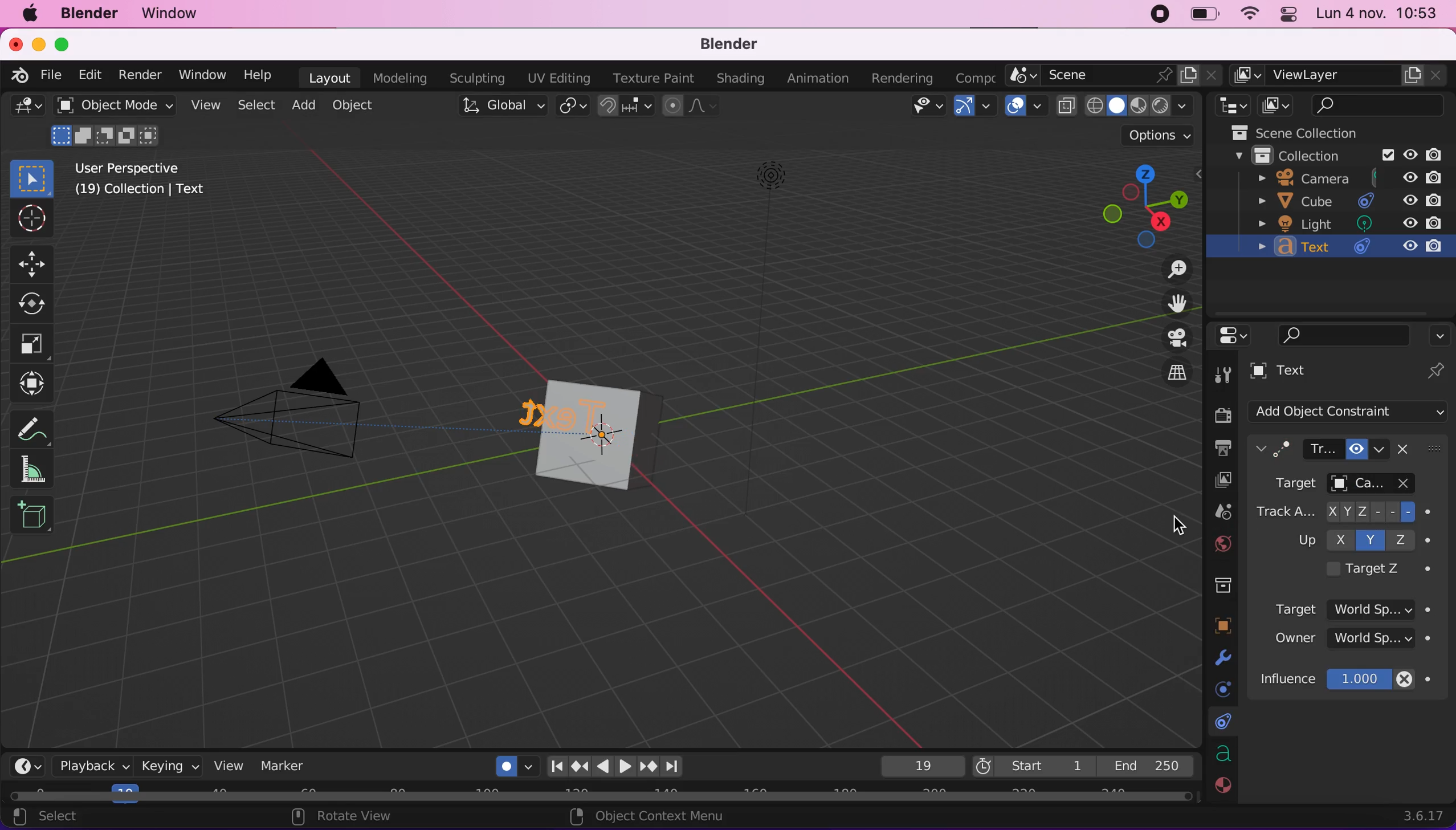  Describe the element at coordinates (35, 427) in the screenshot. I see `annotate` at that location.